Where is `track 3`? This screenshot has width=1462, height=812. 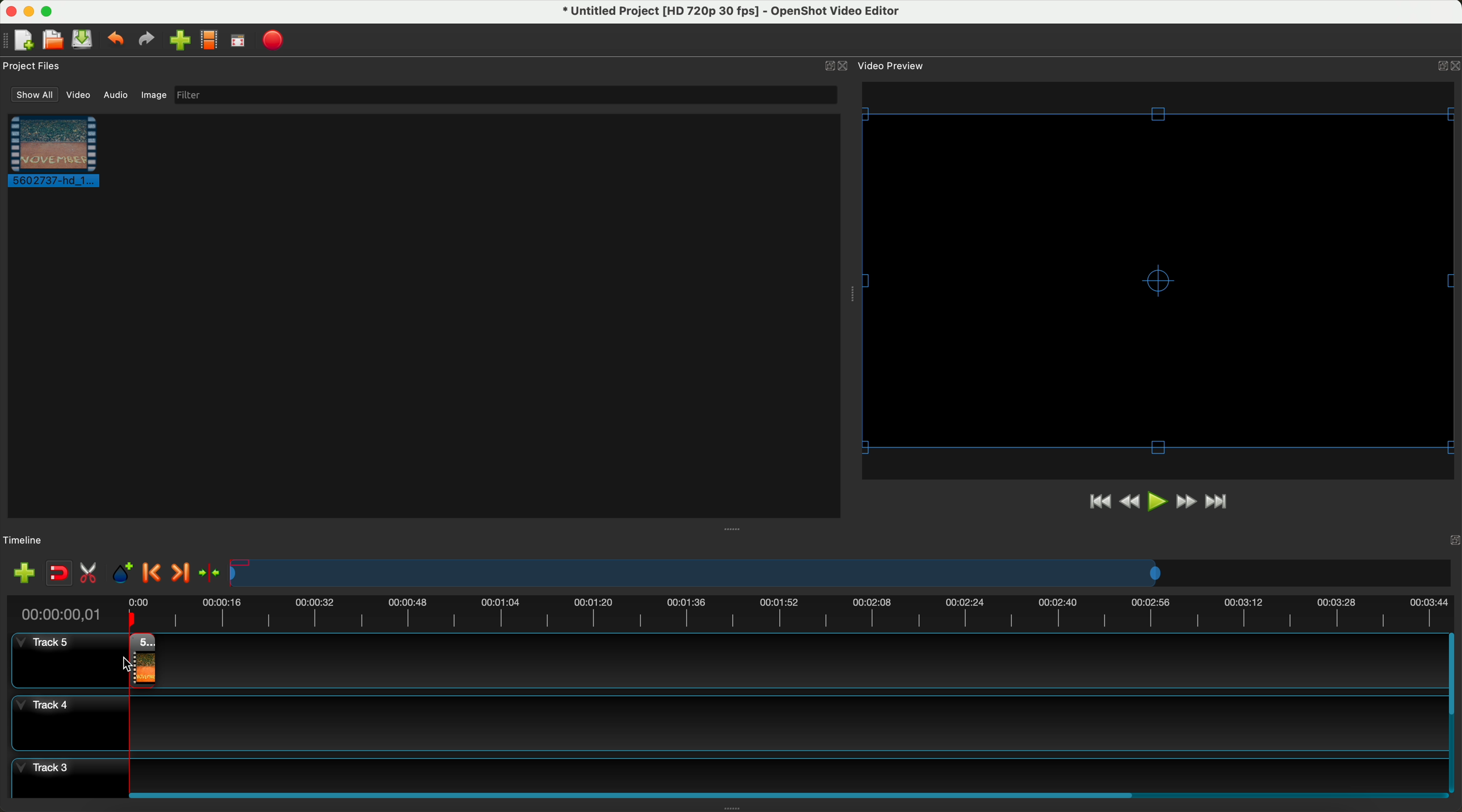 track 3 is located at coordinates (725, 772).